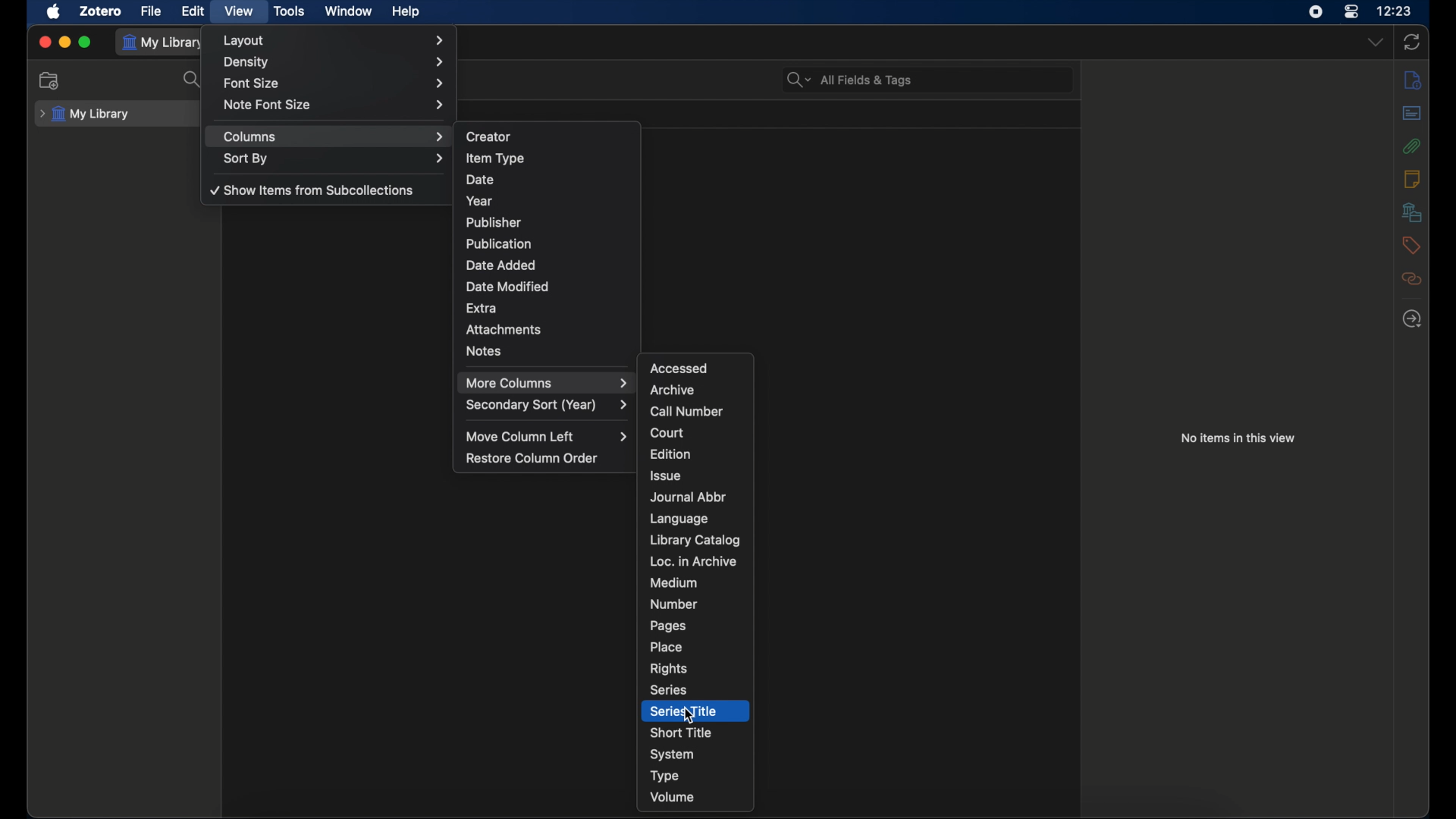  I want to click on volume, so click(673, 797).